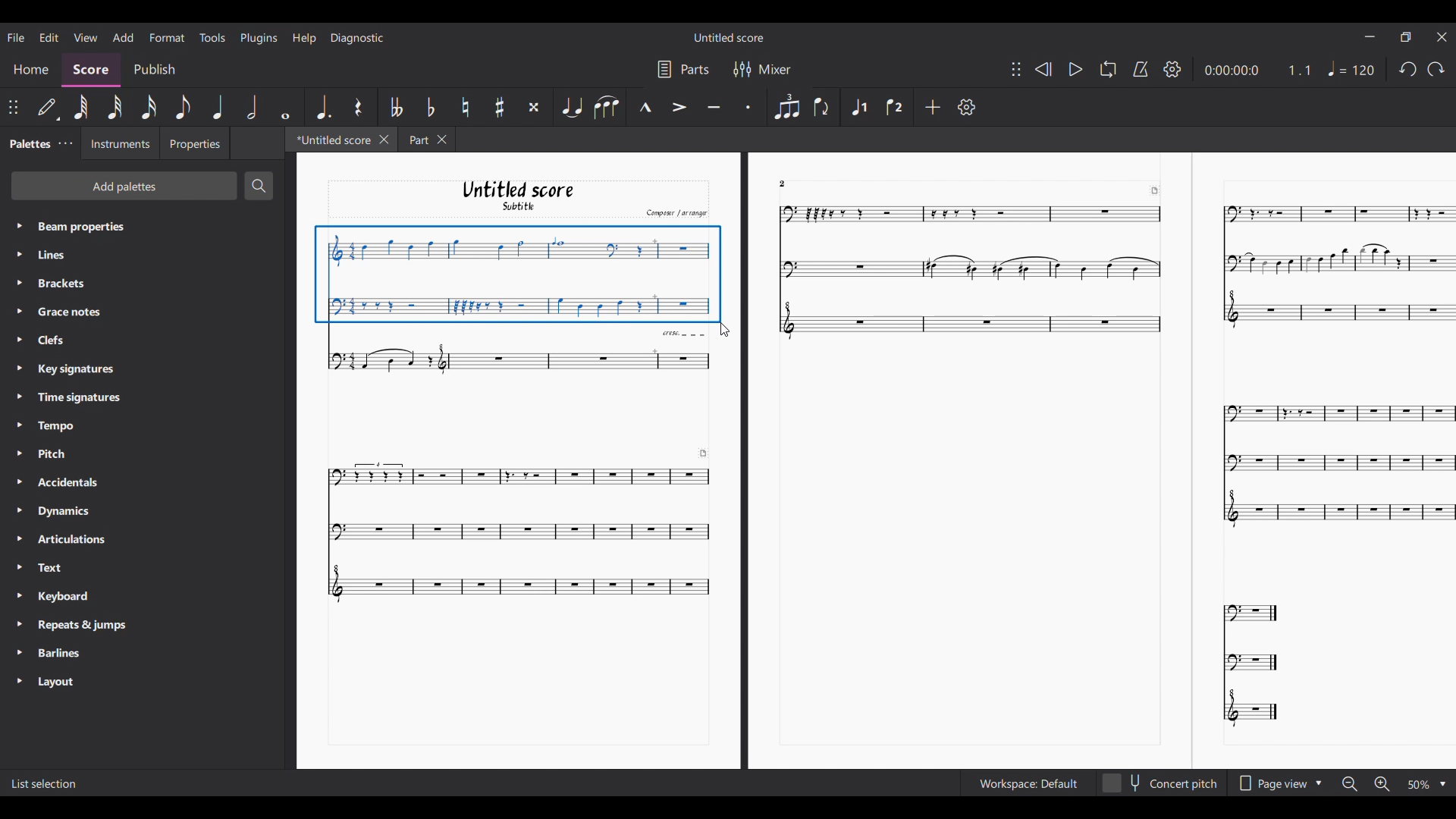 This screenshot has height=819, width=1456. I want to click on Add, so click(123, 38).